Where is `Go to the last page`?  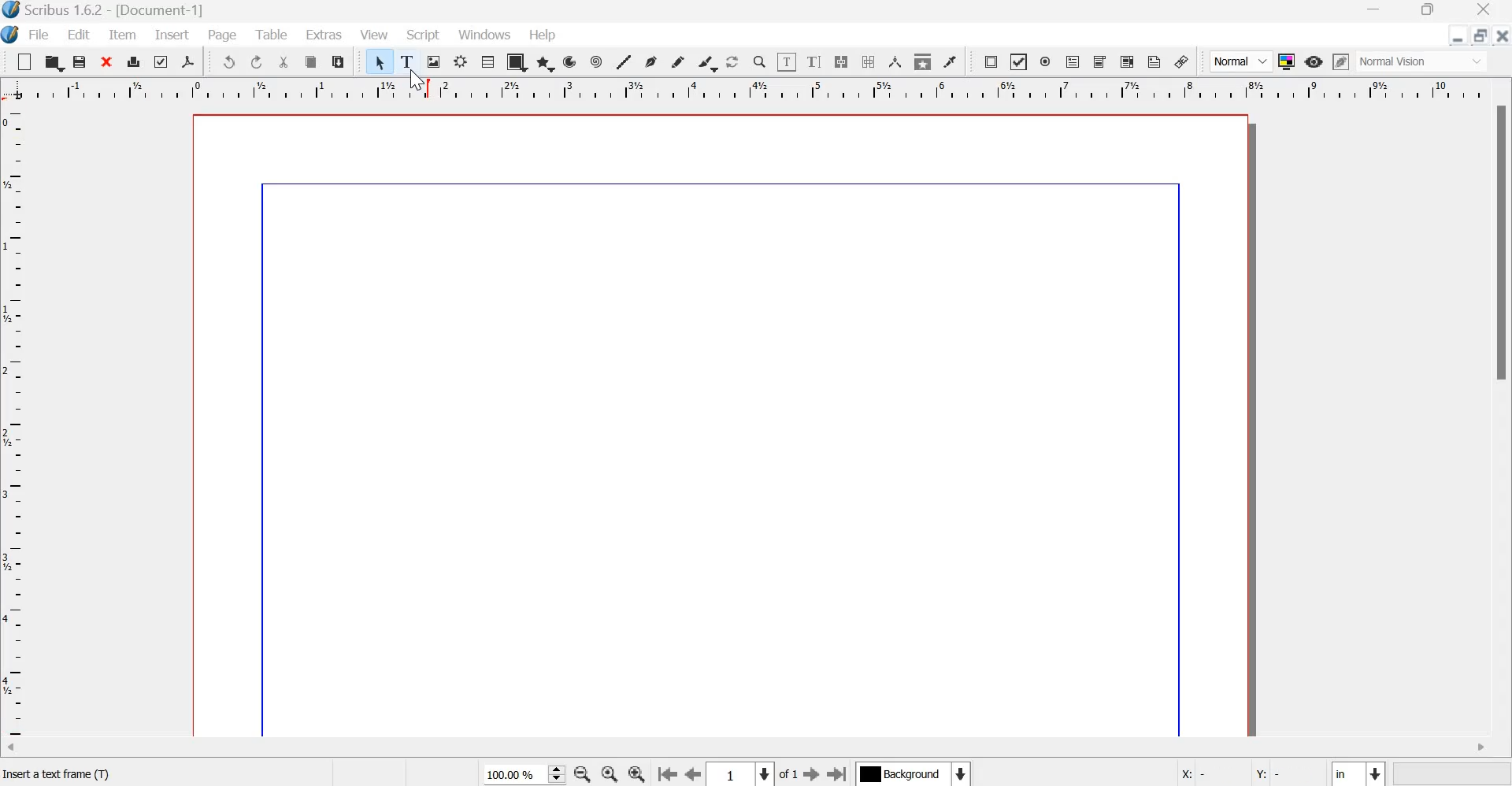 Go to the last page is located at coordinates (838, 773).